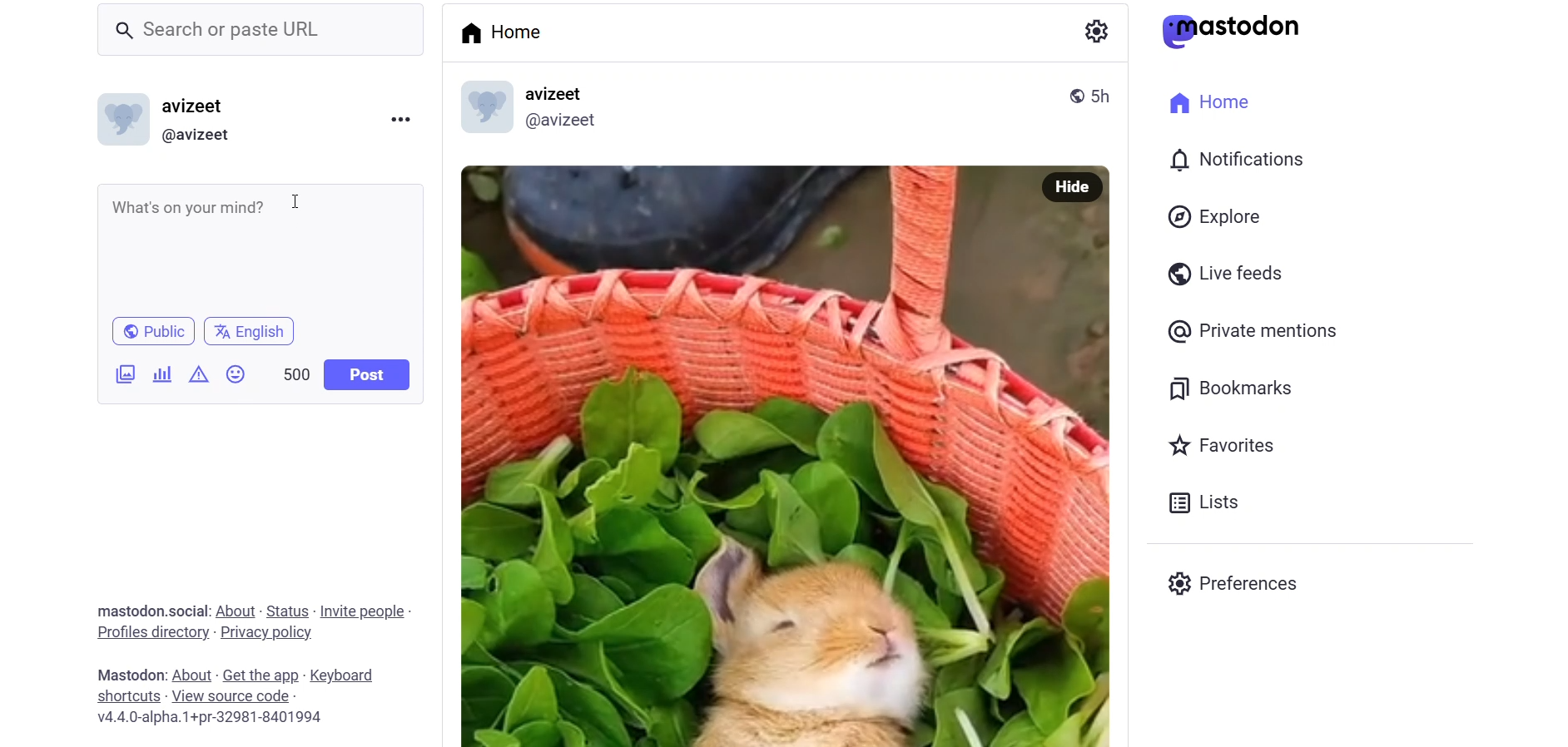  What do you see at coordinates (1215, 101) in the screenshot?
I see `home` at bounding box center [1215, 101].